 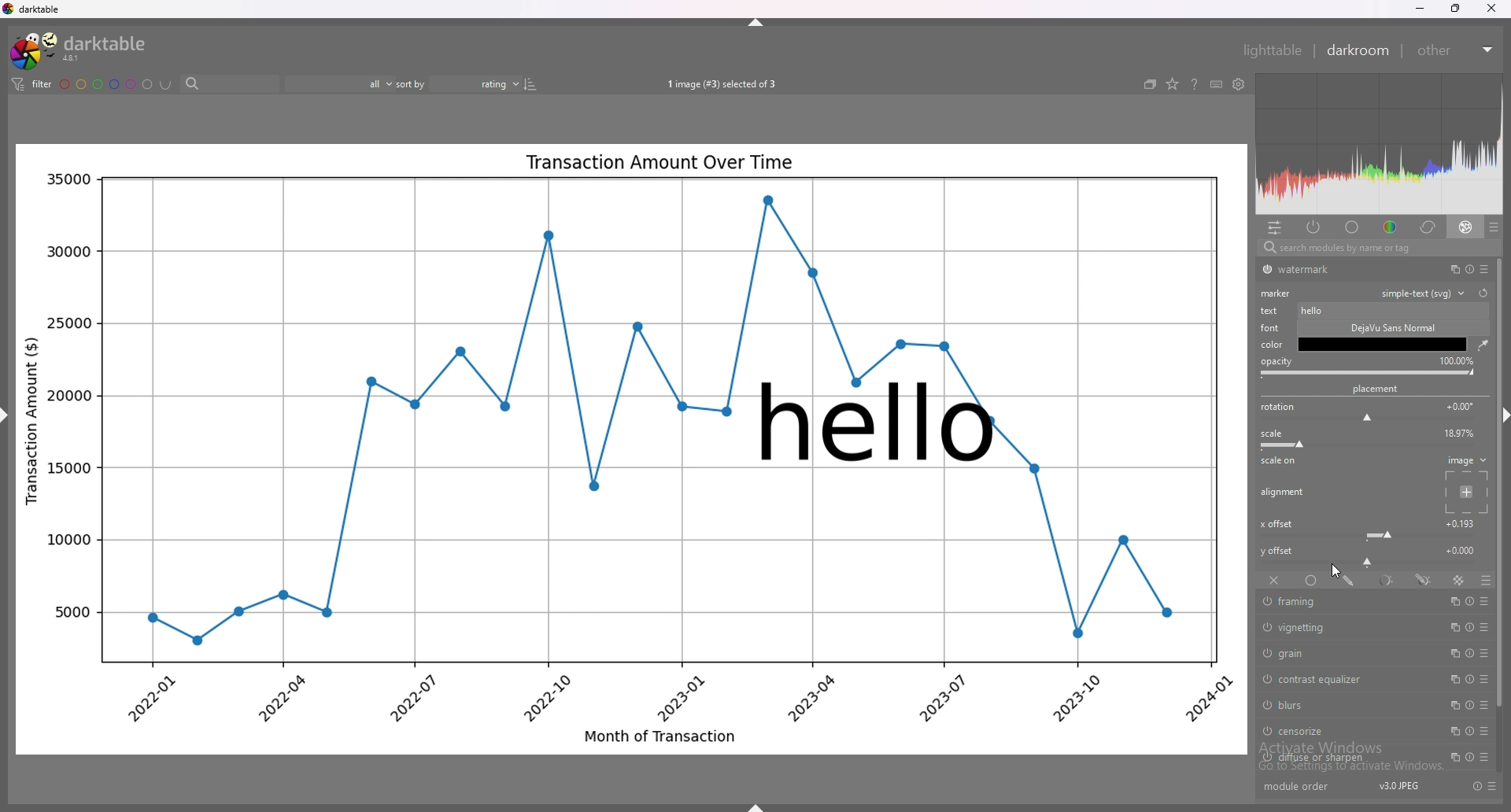 I want to click on roation, so click(x=1277, y=408).